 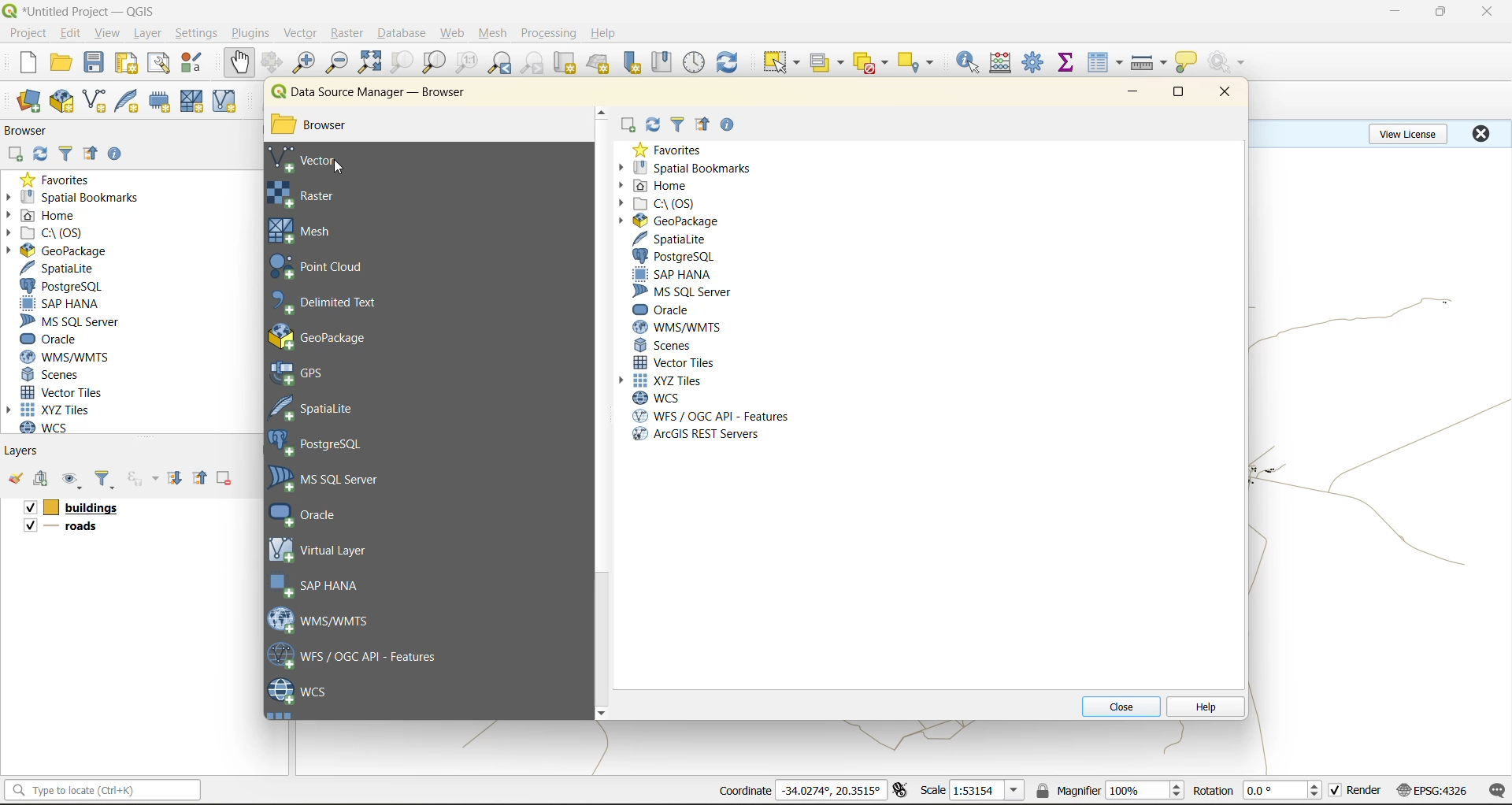 I want to click on new spatial bookmark, so click(x=633, y=63).